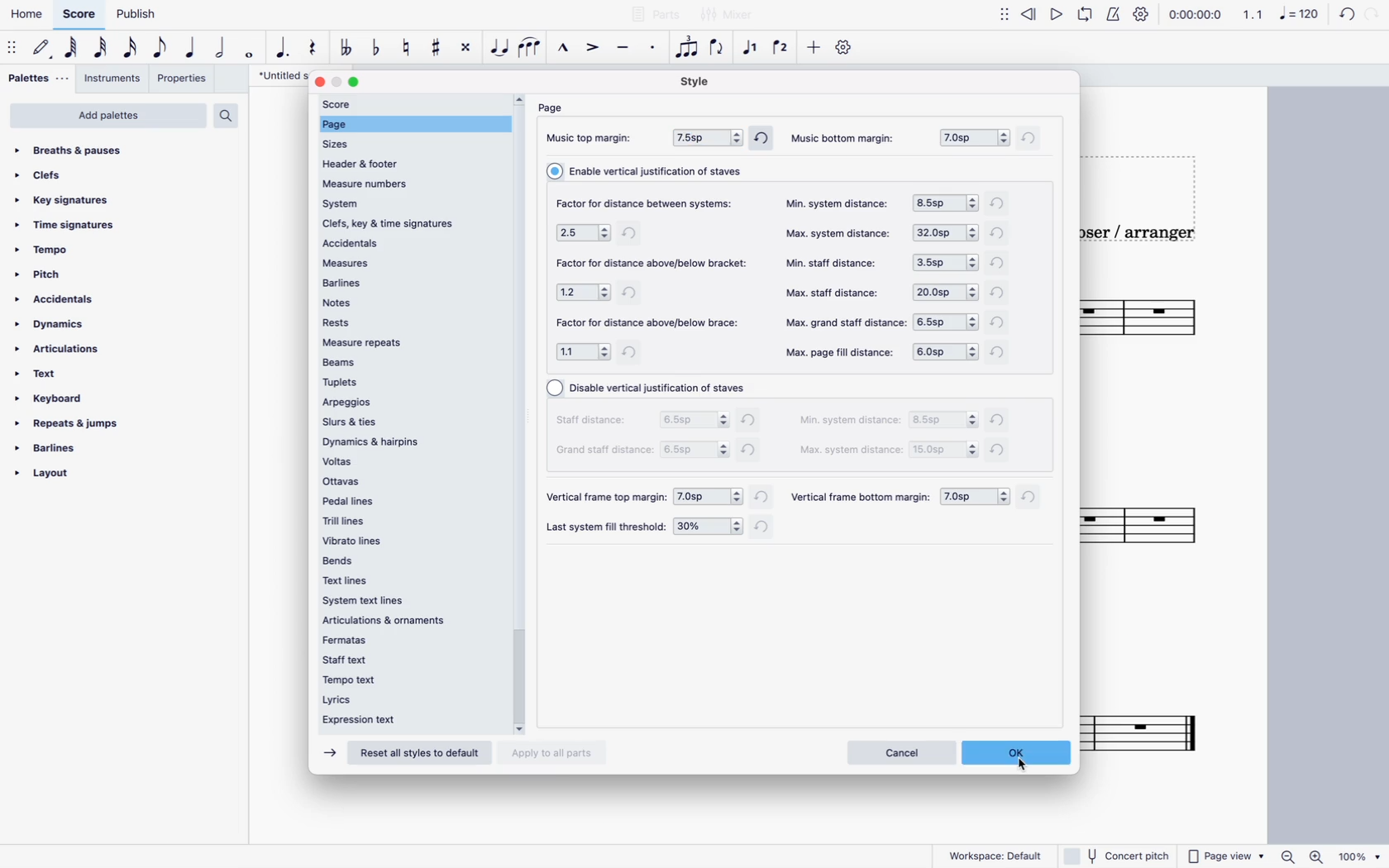 The height and width of the screenshot is (868, 1389). I want to click on ottavas, so click(409, 482).